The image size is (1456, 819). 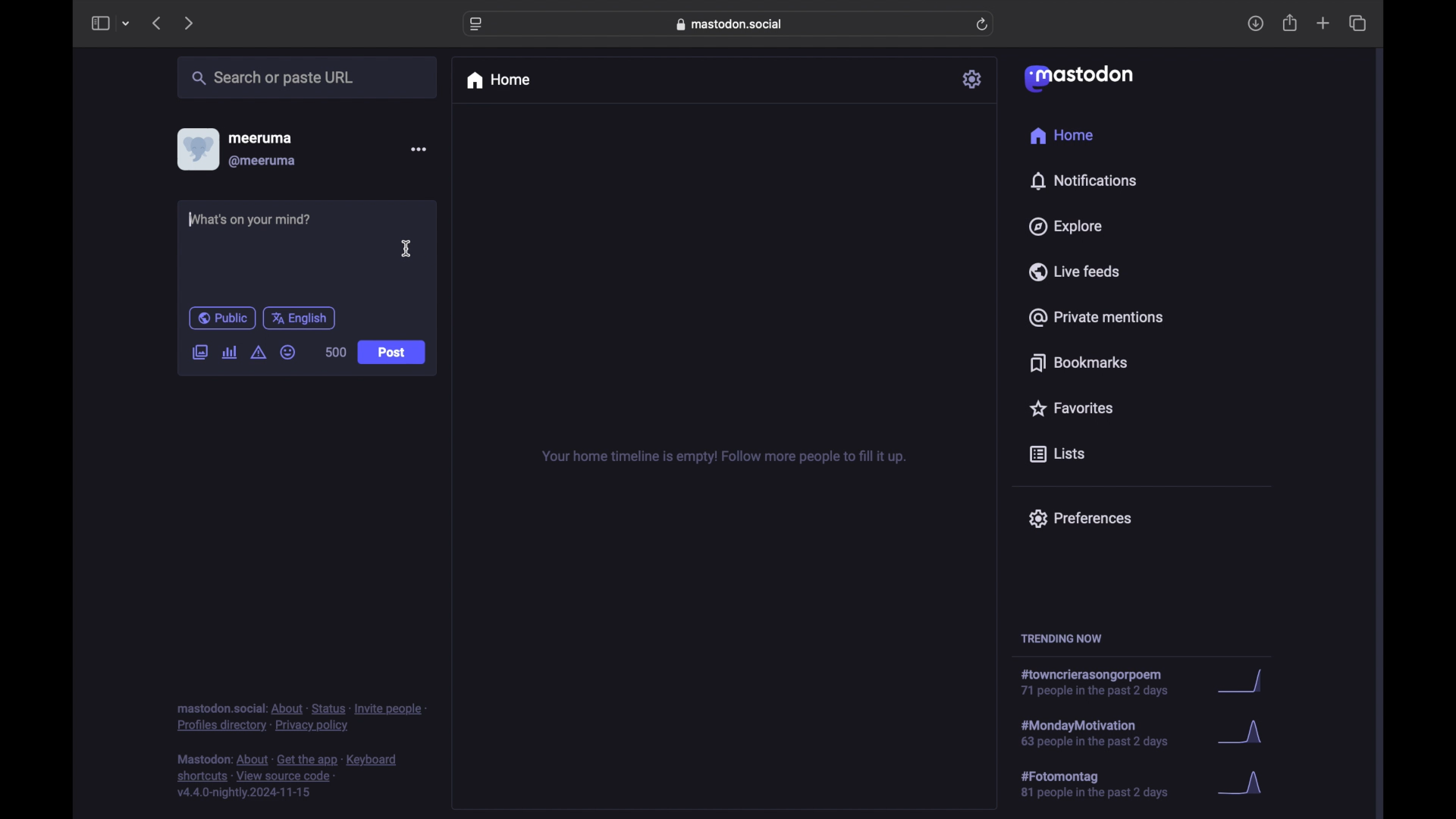 I want to click on home, so click(x=497, y=80).